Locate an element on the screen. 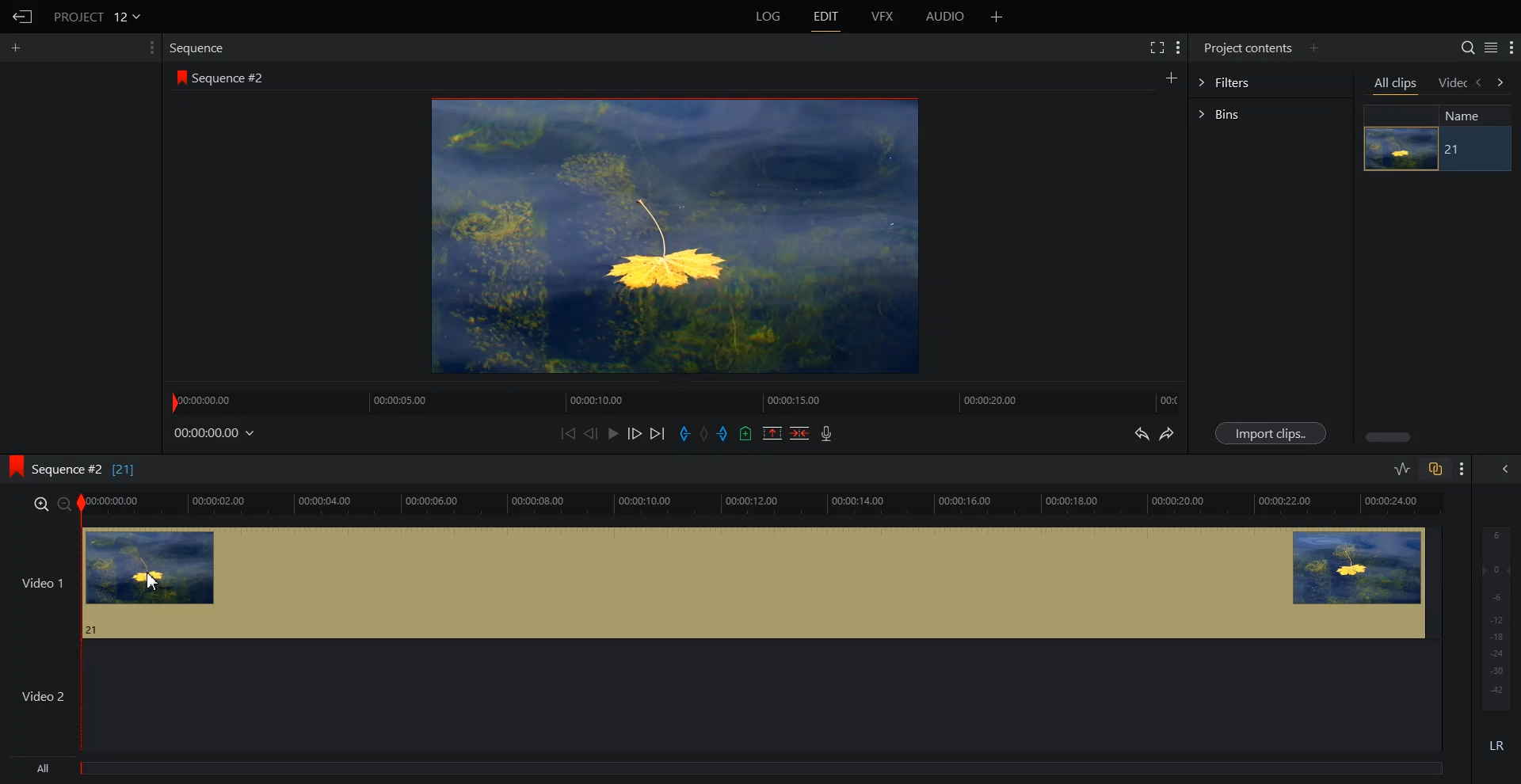 The width and height of the screenshot is (1521, 784). Name is located at coordinates (1470, 115).